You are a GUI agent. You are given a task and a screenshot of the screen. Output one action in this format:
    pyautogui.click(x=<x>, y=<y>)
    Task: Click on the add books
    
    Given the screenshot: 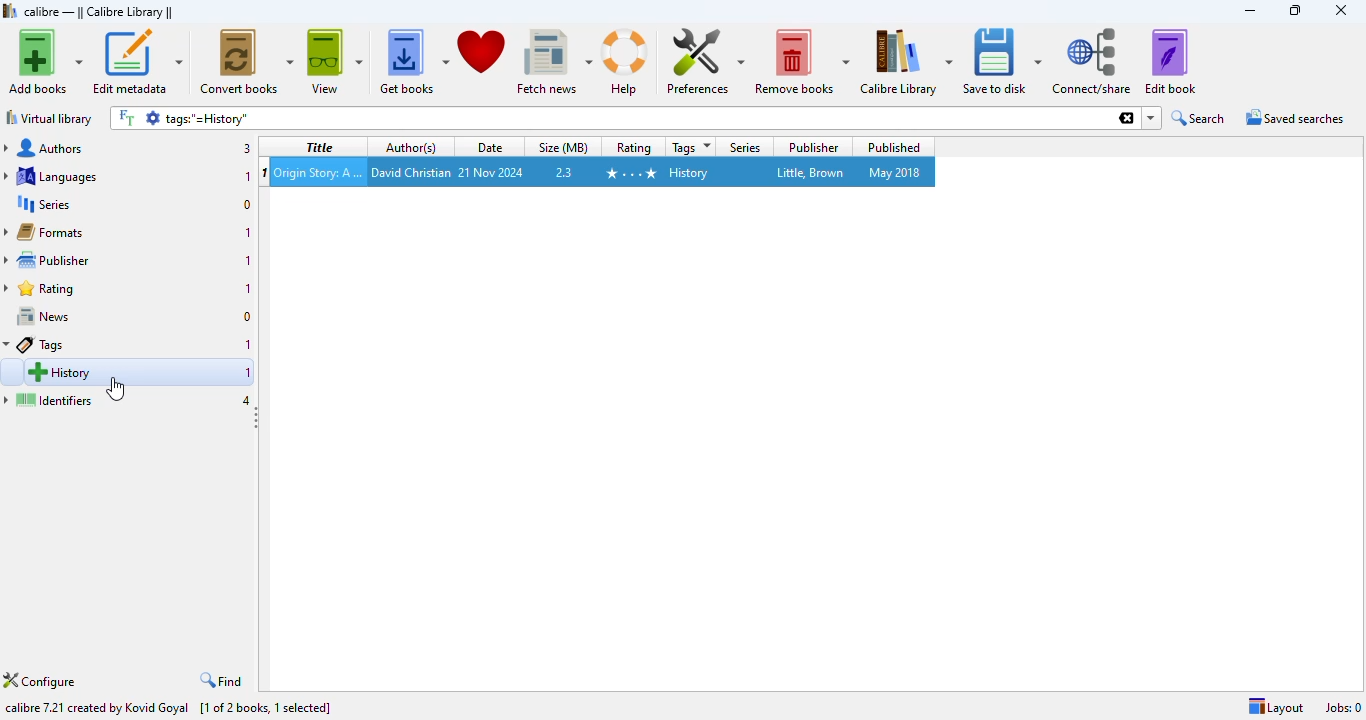 What is the action you would take?
    pyautogui.click(x=45, y=61)
    